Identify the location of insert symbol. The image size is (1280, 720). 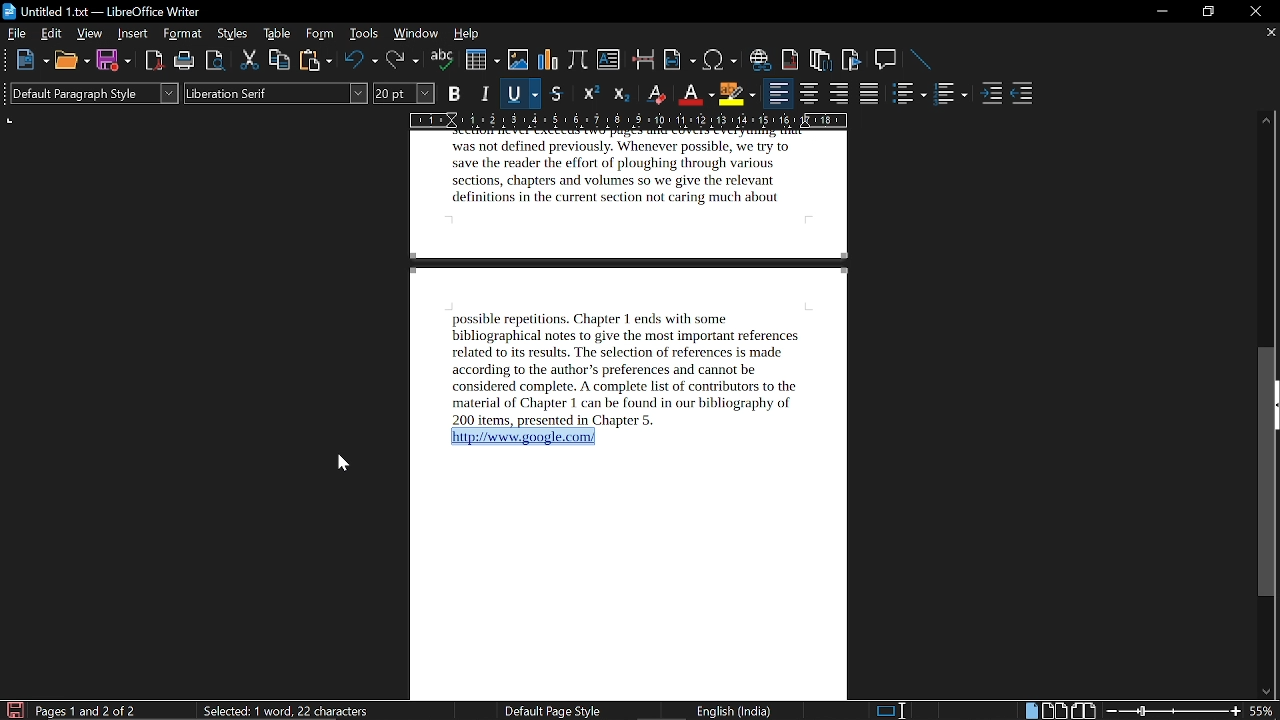
(719, 61).